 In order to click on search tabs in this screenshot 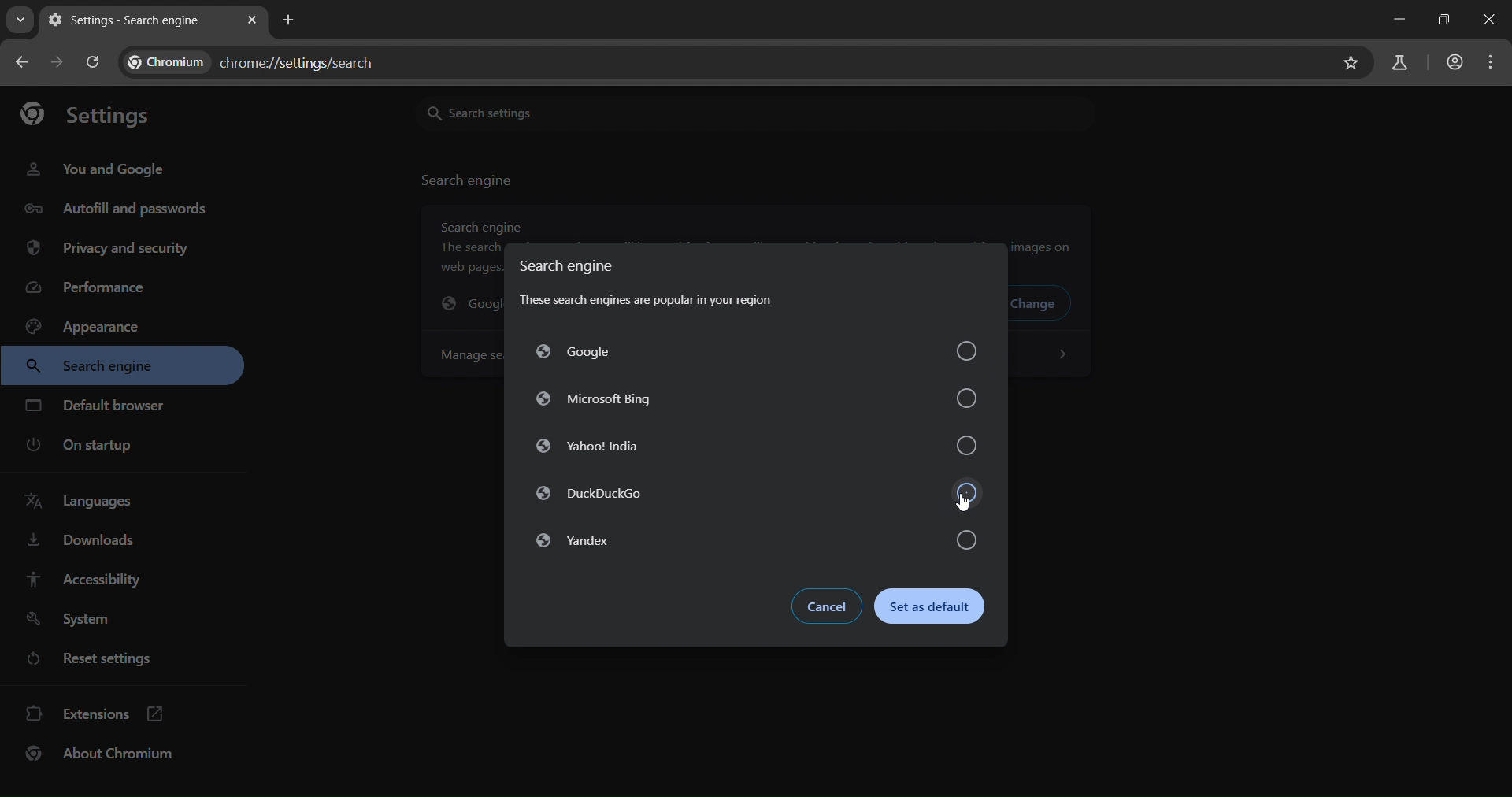, I will do `click(20, 23)`.